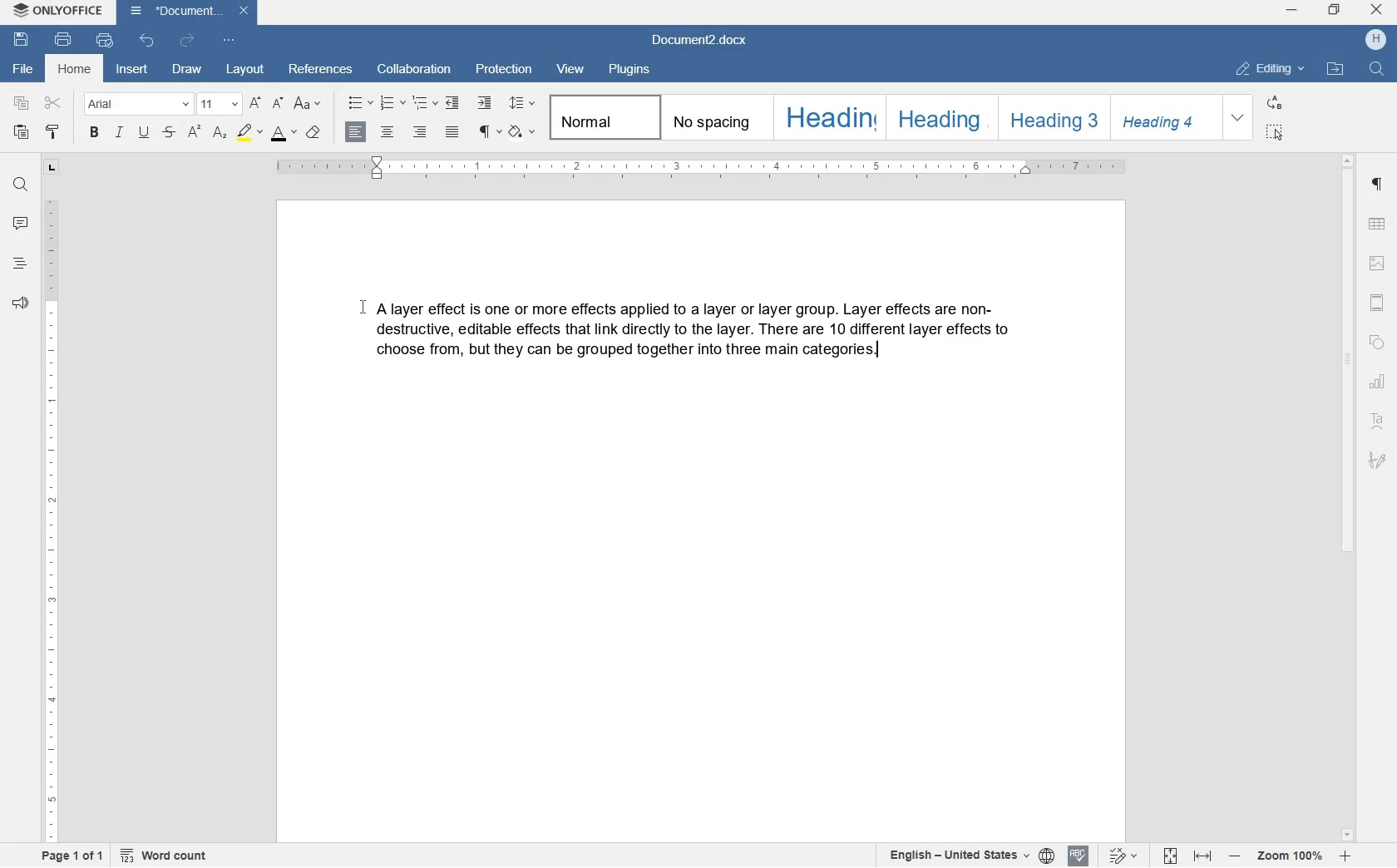 The width and height of the screenshot is (1397, 868). What do you see at coordinates (386, 132) in the screenshot?
I see `align center` at bounding box center [386, 132].